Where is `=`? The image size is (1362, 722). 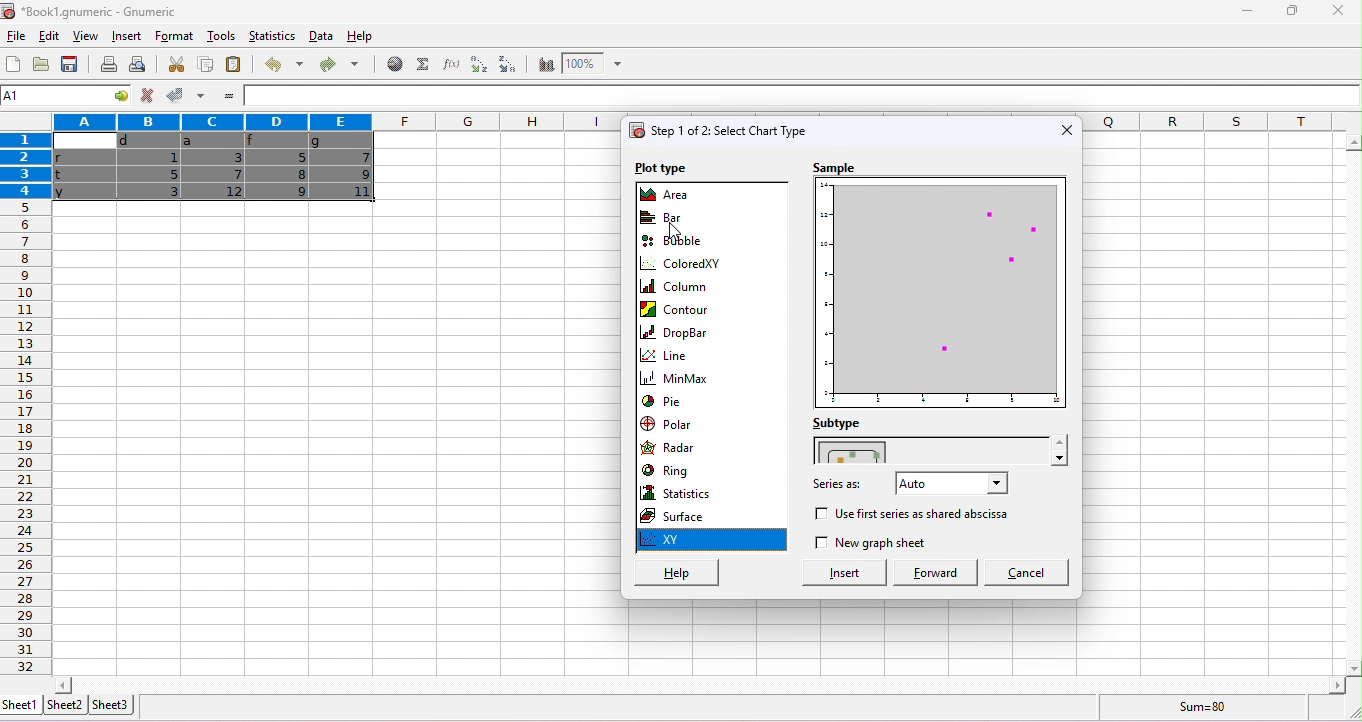
= is located at coordinates (231, 96).